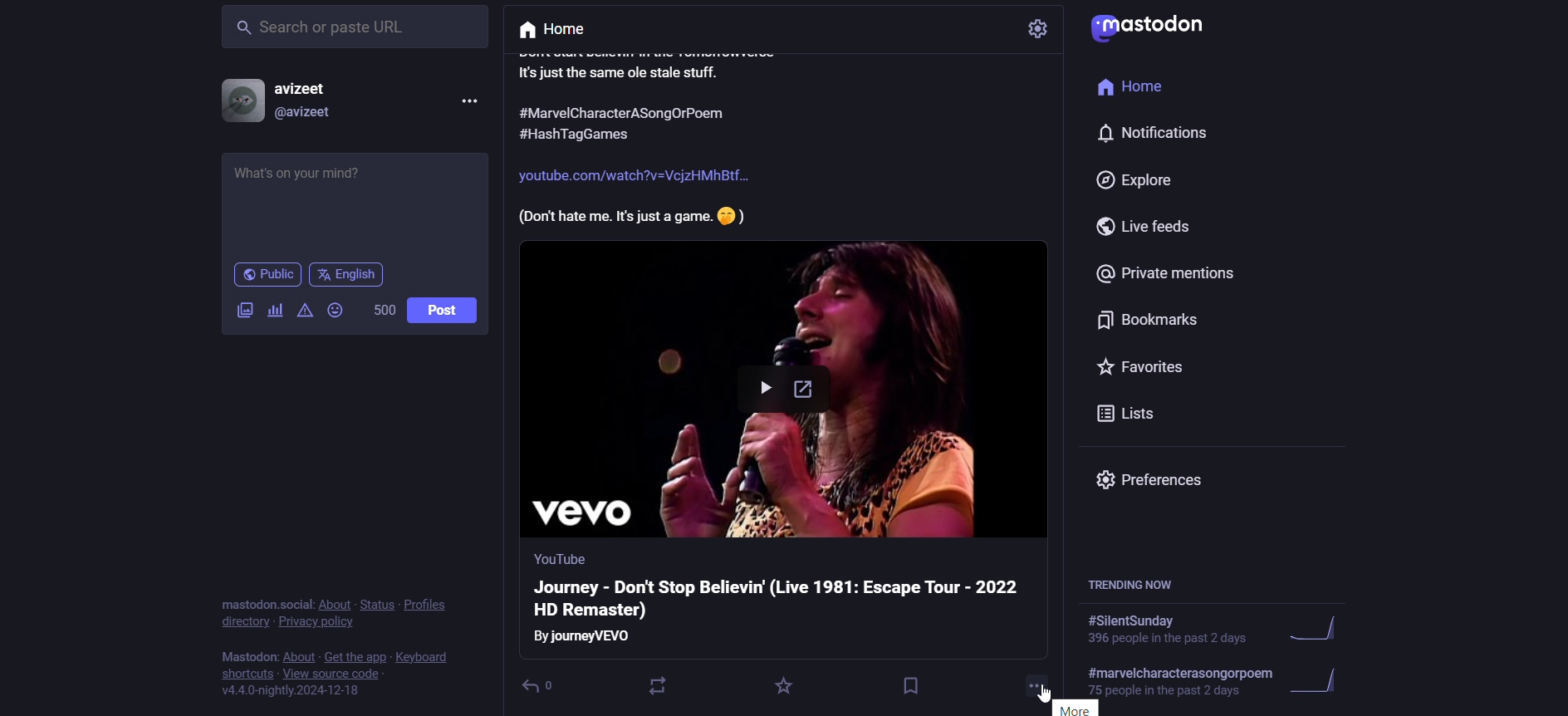  Describe the element at coordinates (428, 605) in the screenshot. I see `profile` at that location.